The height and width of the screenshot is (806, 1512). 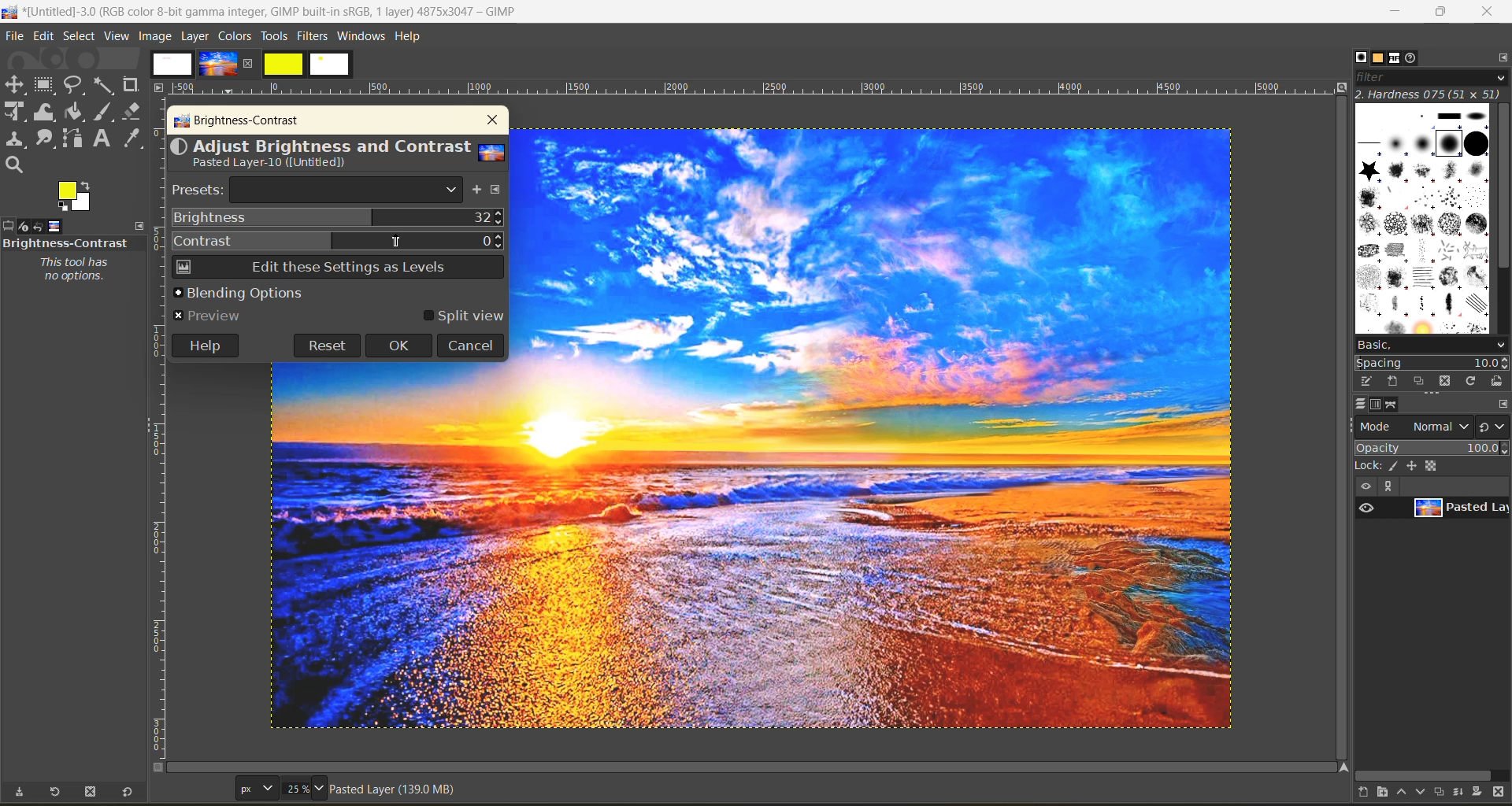 I want to click on close, so click(x=1487, y=13).